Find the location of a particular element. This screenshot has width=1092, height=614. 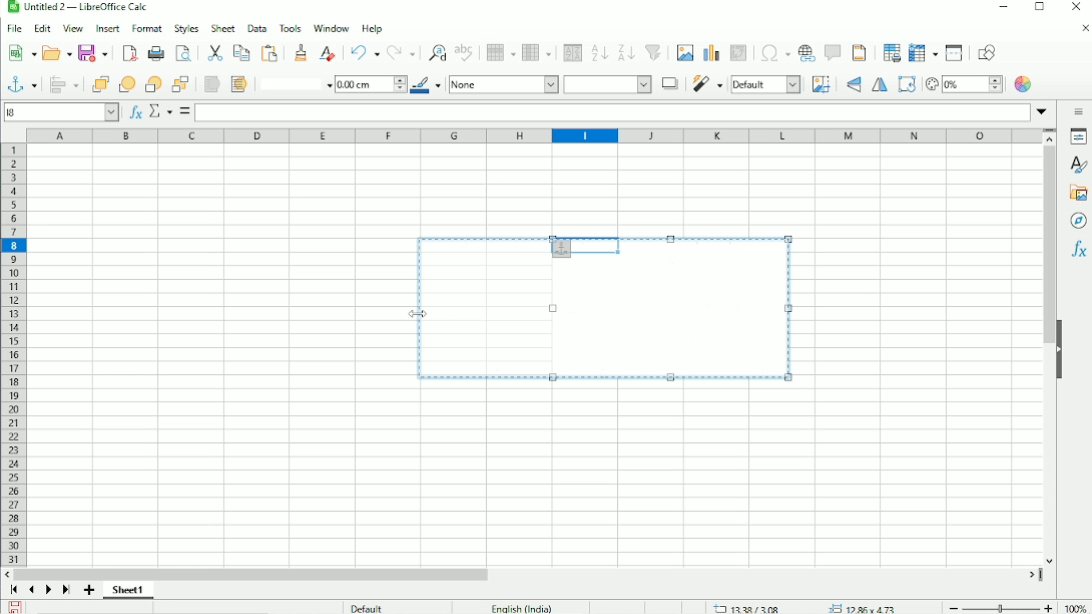

Sidebar settings is located at coordinates (1079, 111).